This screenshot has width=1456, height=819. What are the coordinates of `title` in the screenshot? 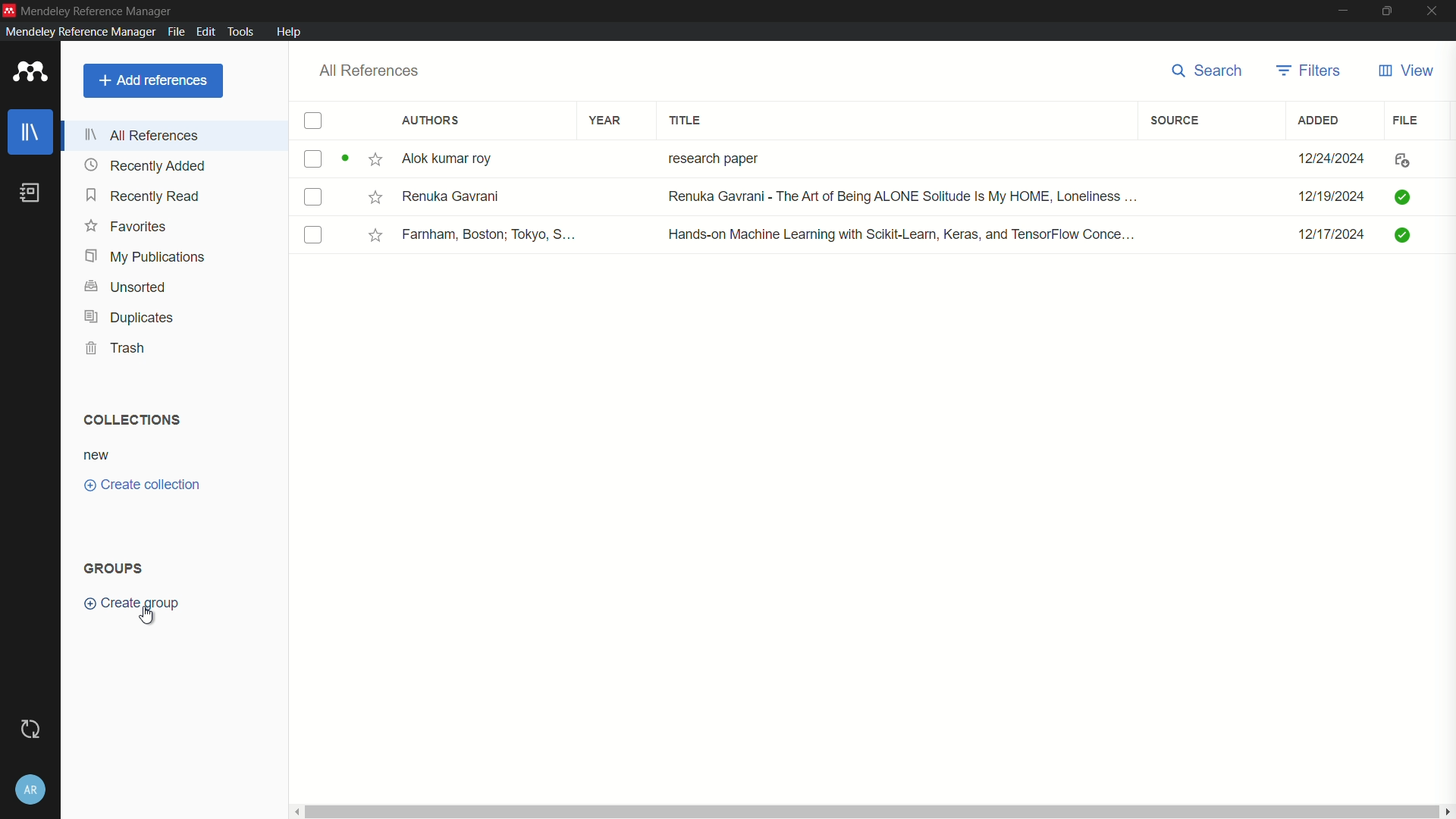 It's located at (687, 121).